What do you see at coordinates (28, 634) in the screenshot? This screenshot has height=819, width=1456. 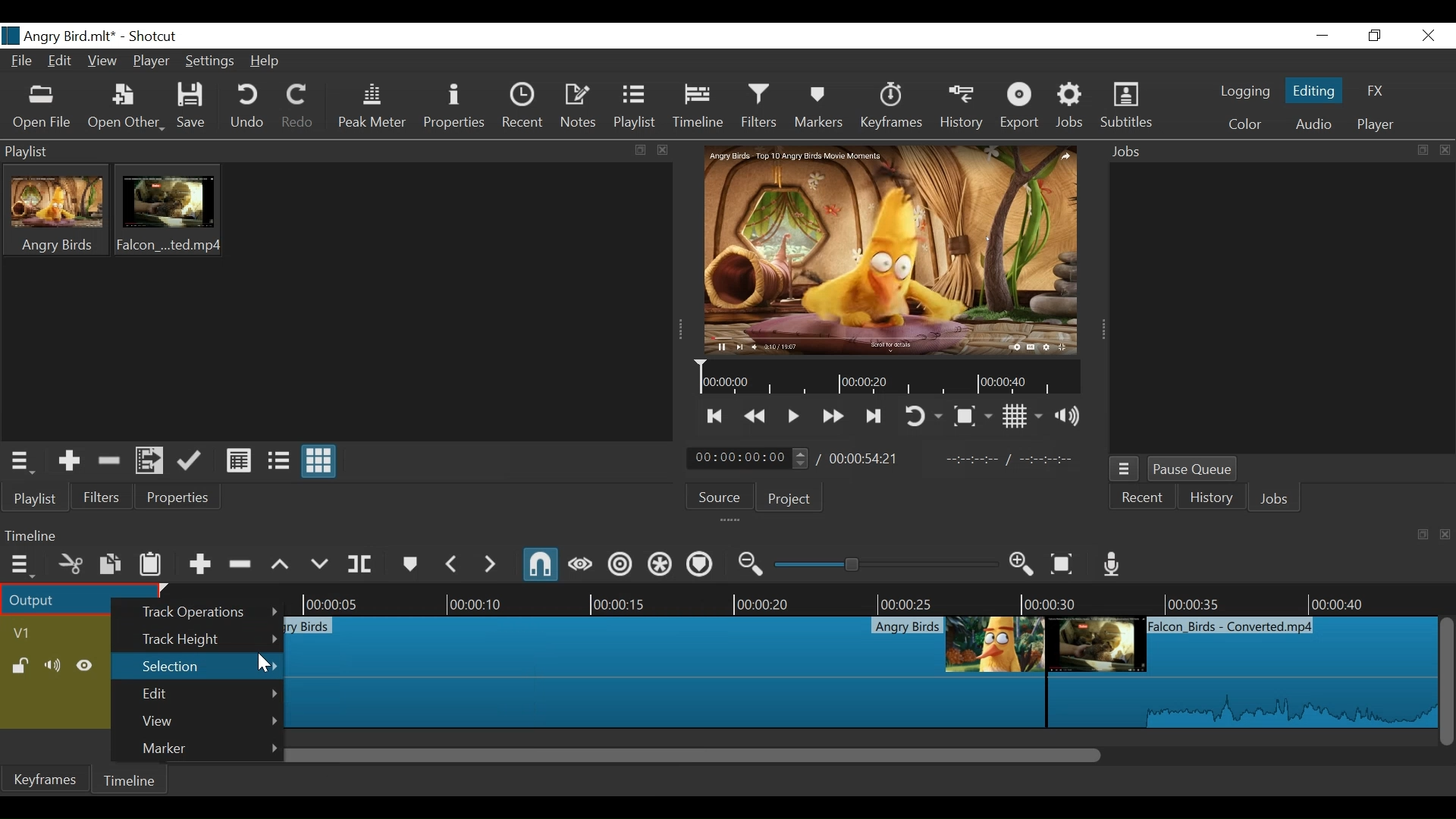 I see `Track Header` at bounding box center [28, 634].